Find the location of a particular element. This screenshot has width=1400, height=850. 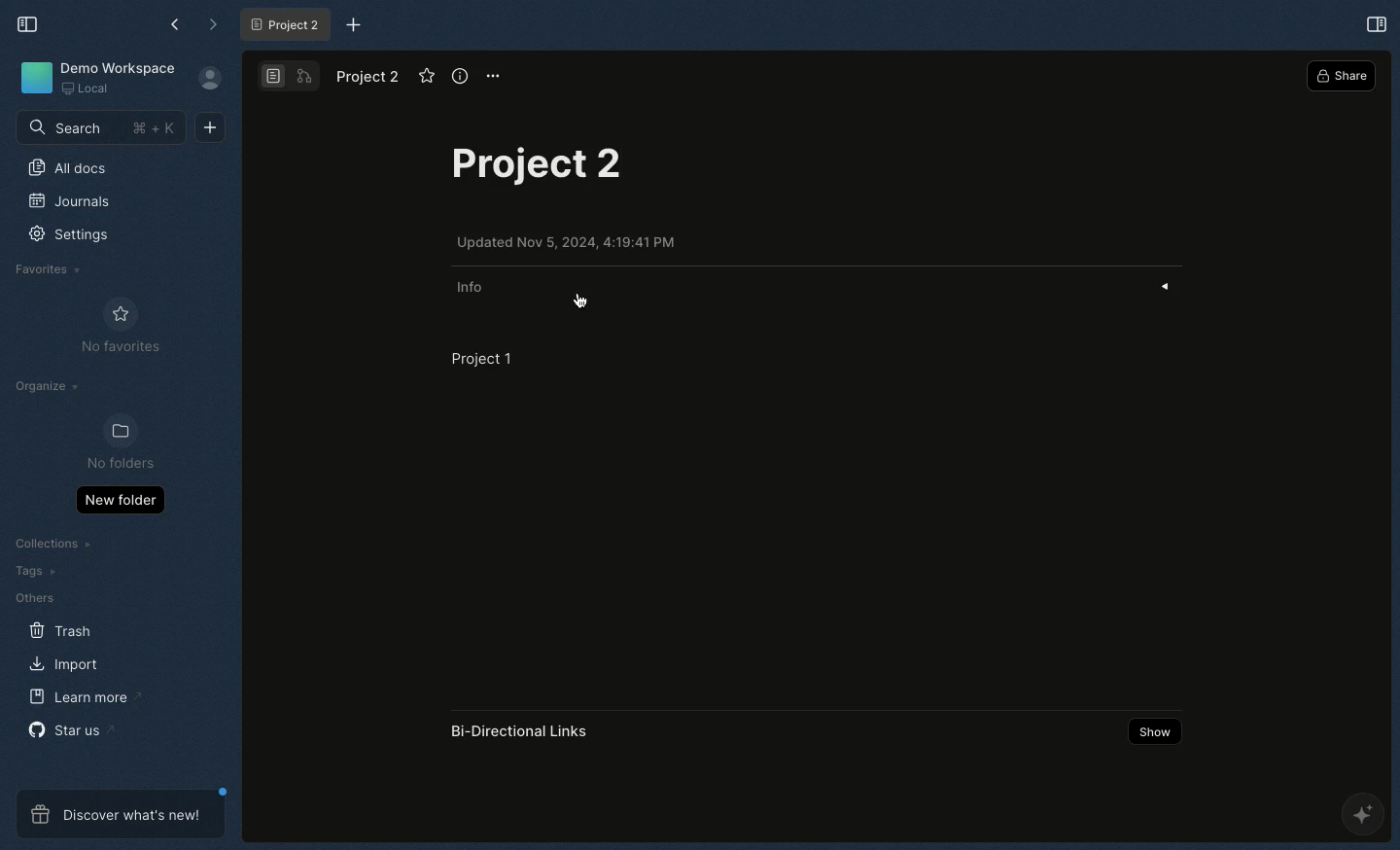

affine ai is located at coordinates (1363, 812).